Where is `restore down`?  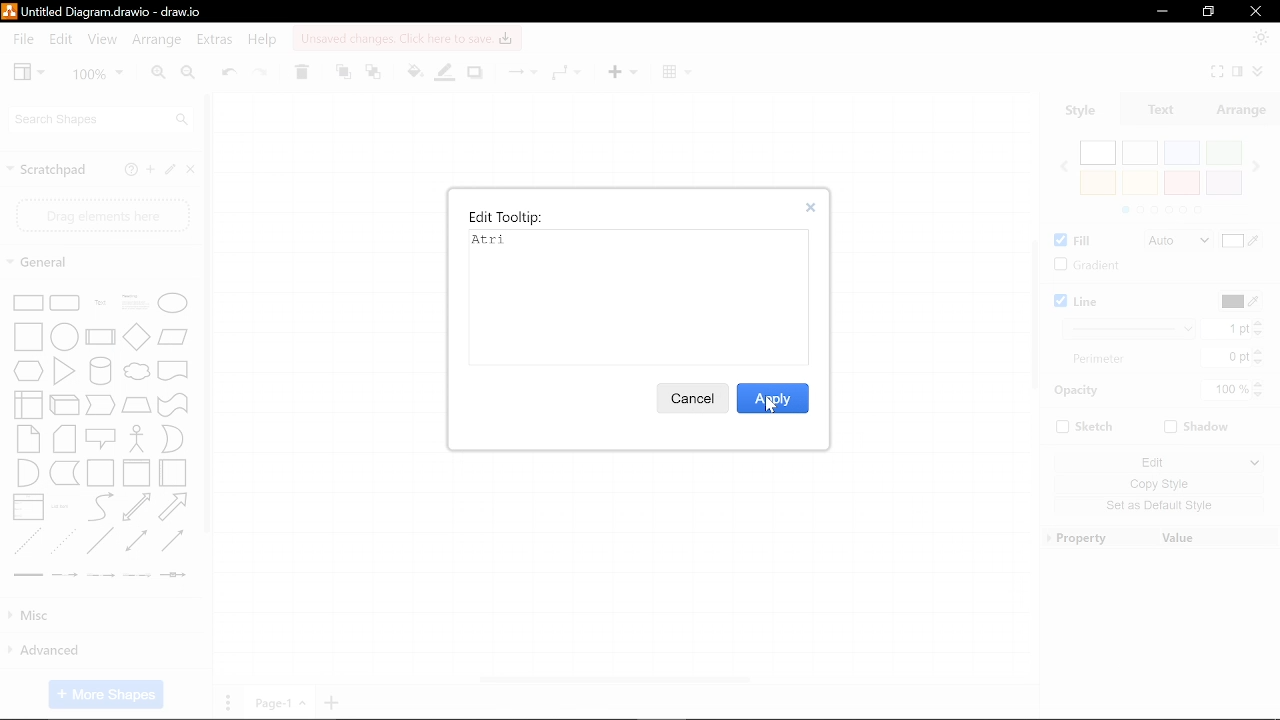 restore down is located at coordinates (1208, 12).